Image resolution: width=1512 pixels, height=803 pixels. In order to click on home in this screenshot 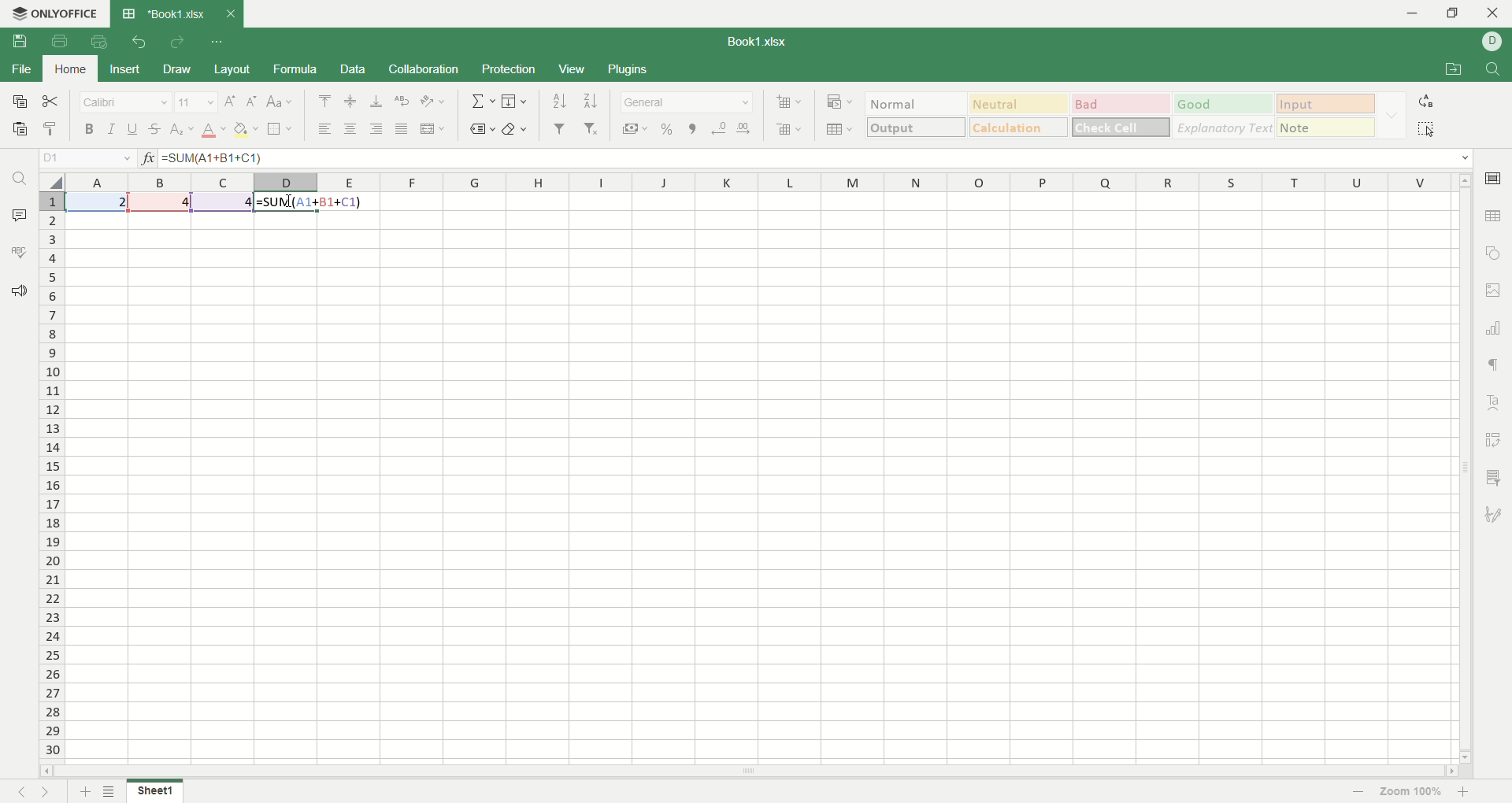, I will do `click(68, 68)`.